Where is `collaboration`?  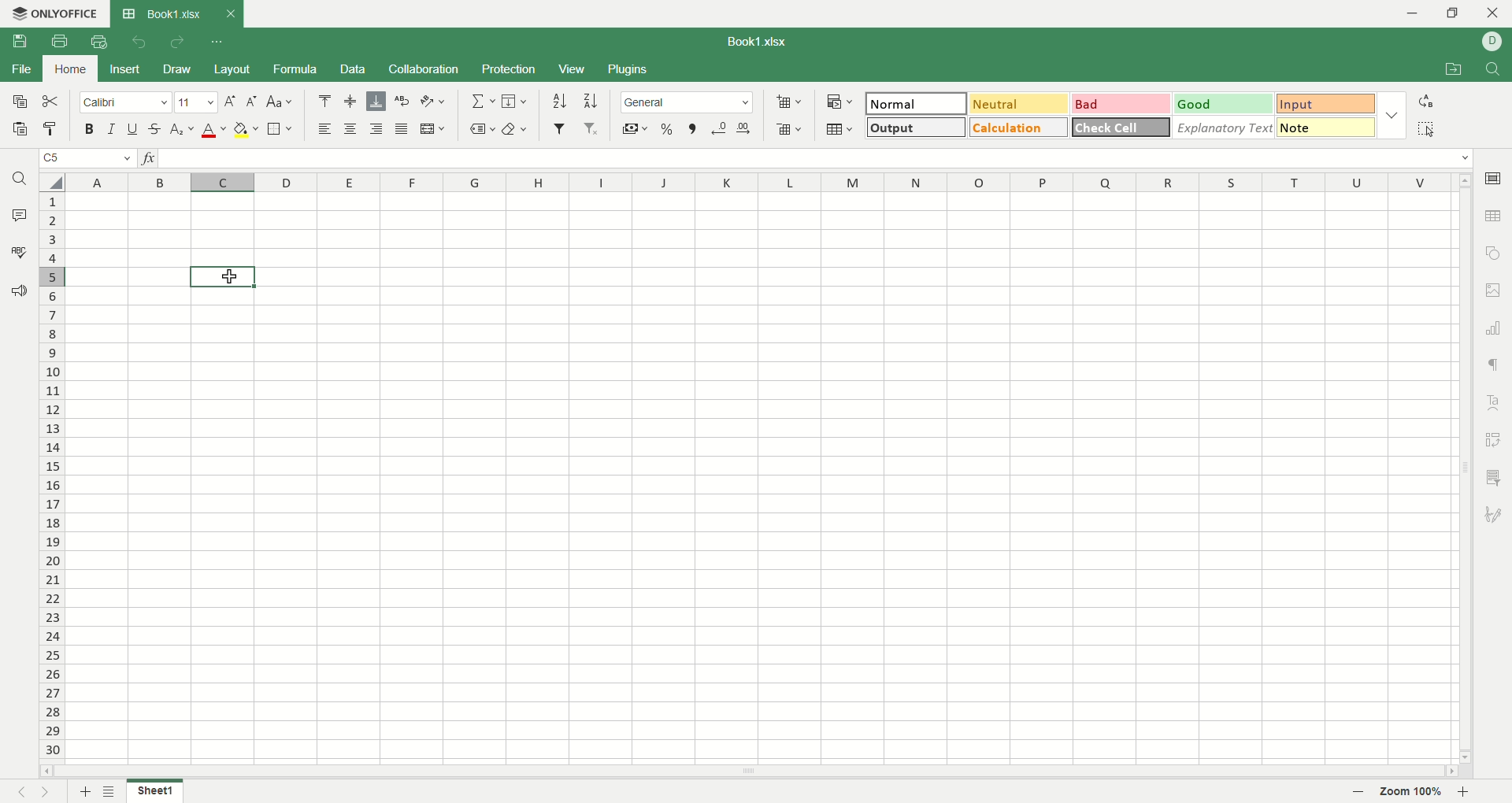
collaboration is located at coordinates (424, 71).